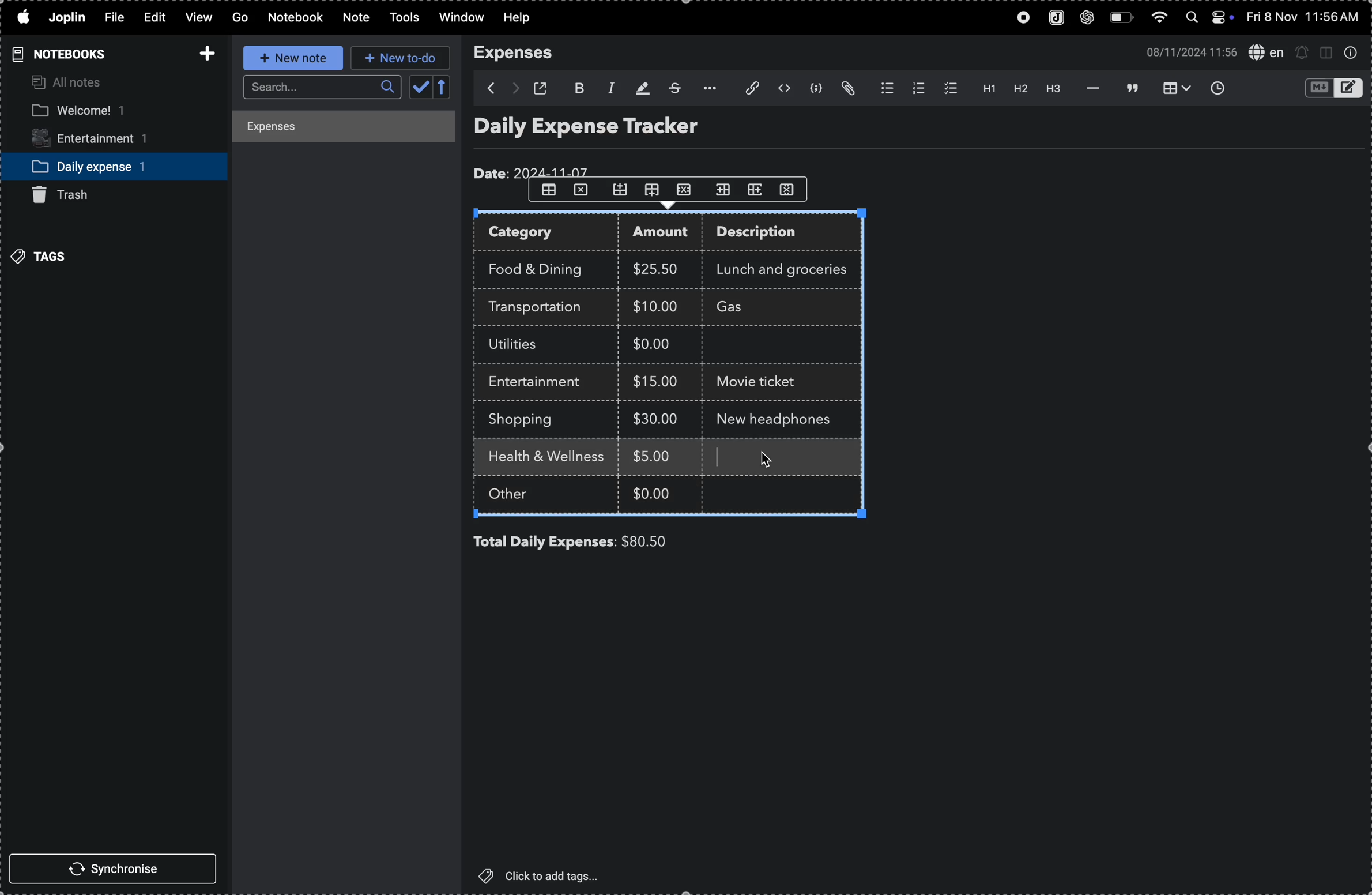 This screenshot has width=1372, height=895. What do you see at coordinates (401, 58) in the screenshot?
I see `new to do` at bounding box center [401, 58].